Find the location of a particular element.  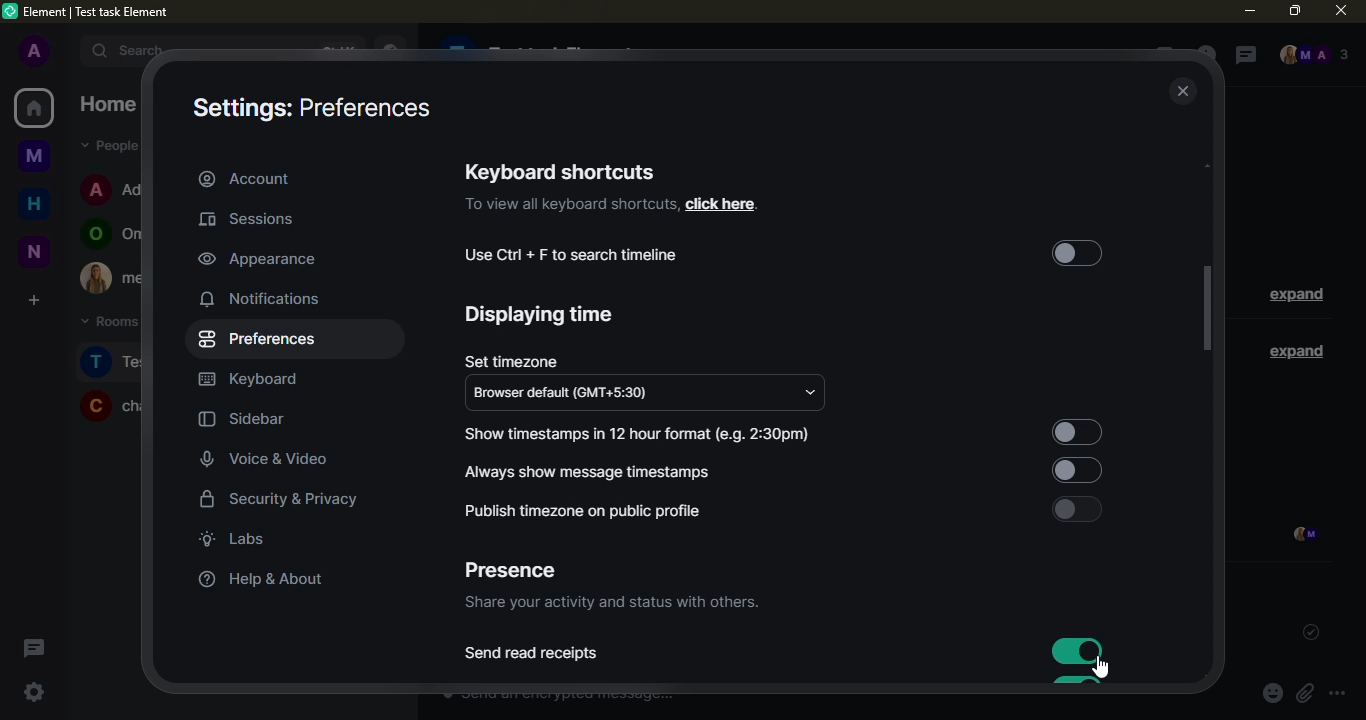

enable is located at coordinates (1074, 426).